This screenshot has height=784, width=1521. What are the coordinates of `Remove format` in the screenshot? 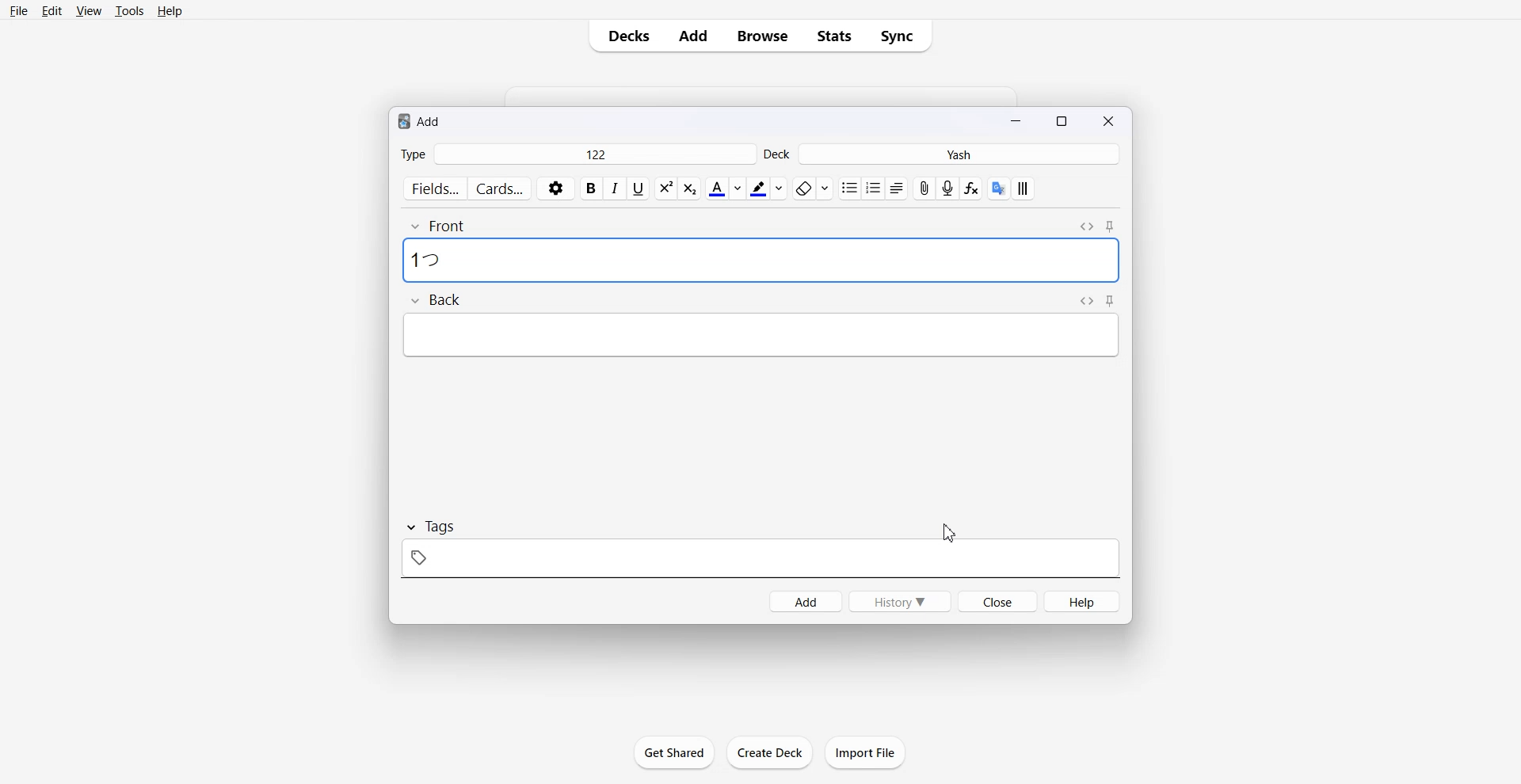 It's located at (812, 188).